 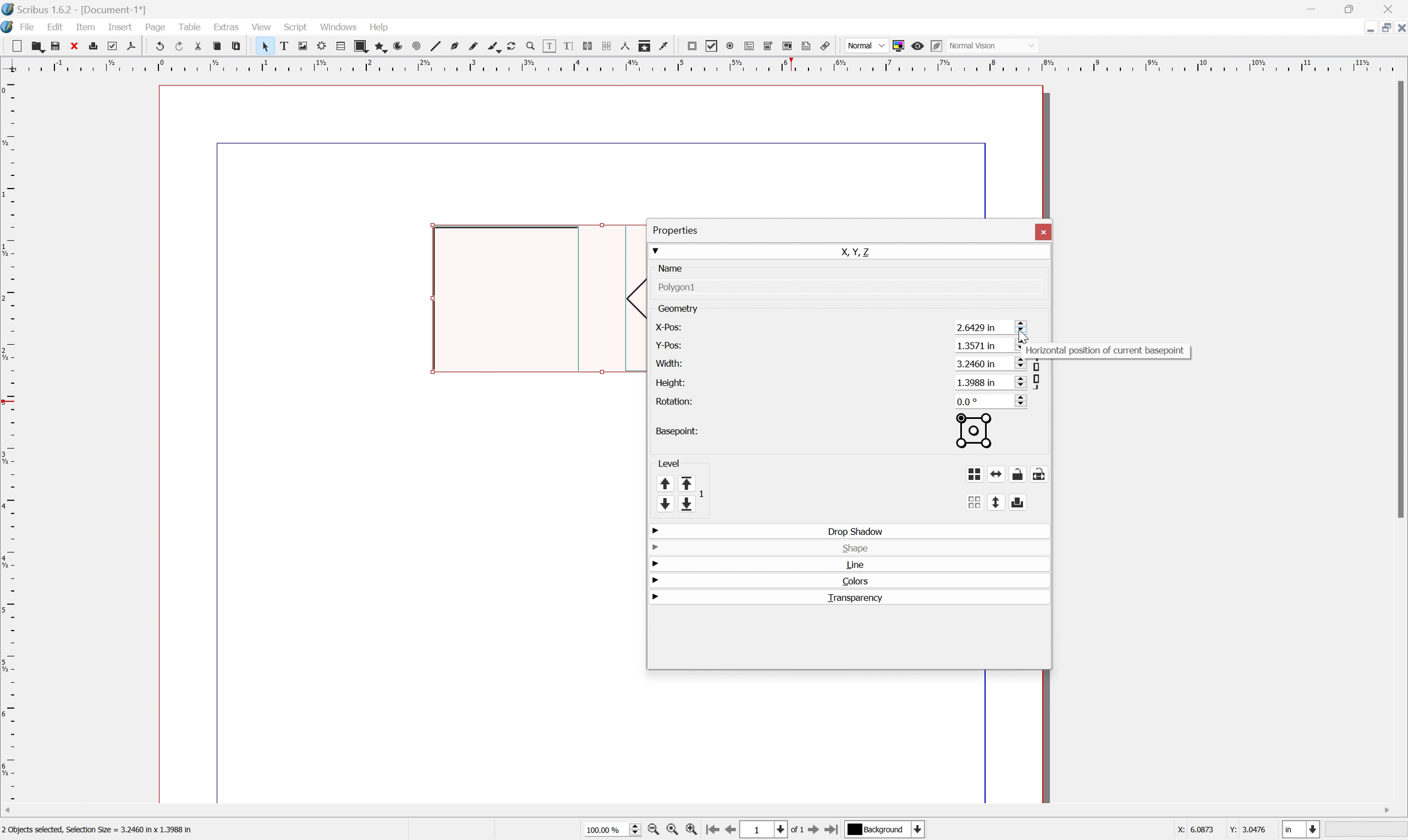 I want to click on Scribus 1.6.2 - [Document-1*], so click(x=90, y=8).